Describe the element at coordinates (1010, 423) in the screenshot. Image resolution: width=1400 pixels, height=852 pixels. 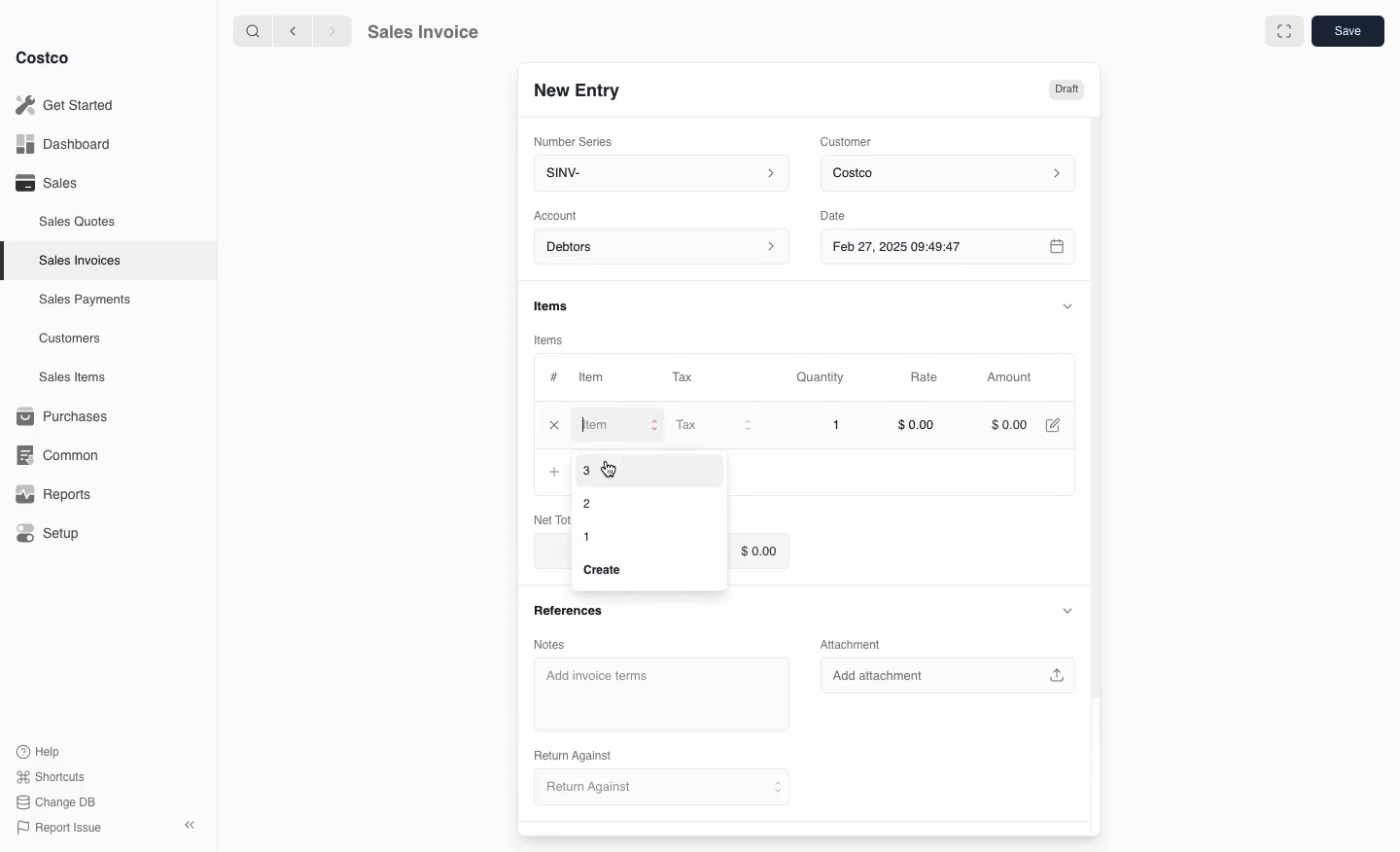
I see `$0.00` at that location.